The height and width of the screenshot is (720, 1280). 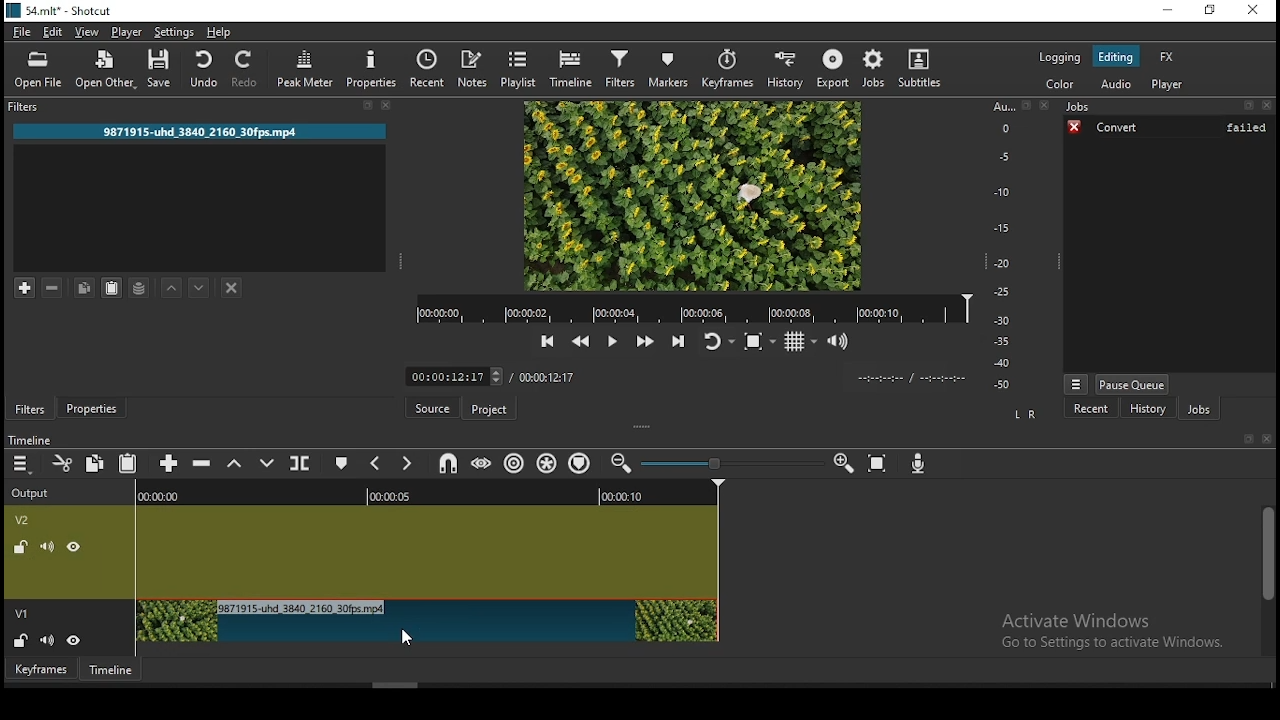 I want to click on timeline, so click(x=429, y=493).